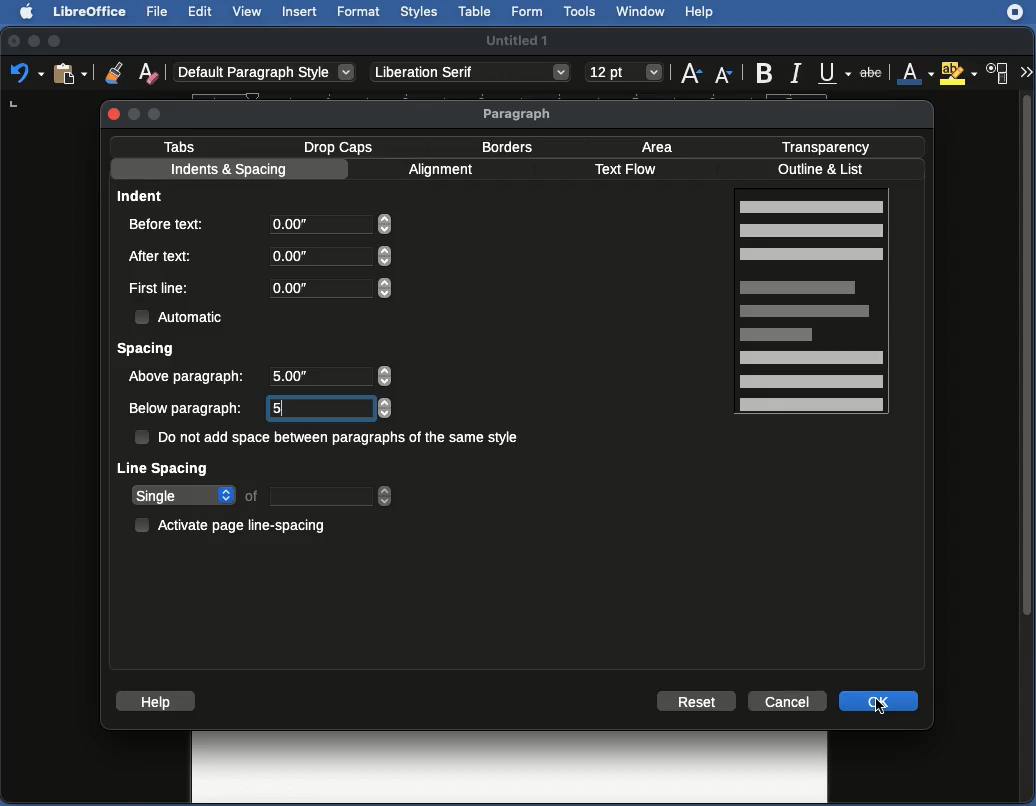 The height and width of the screenshot is (806, 1036). Describe the element at coordinates (763, 71) in the screenshot. I see `Bold` at that location.